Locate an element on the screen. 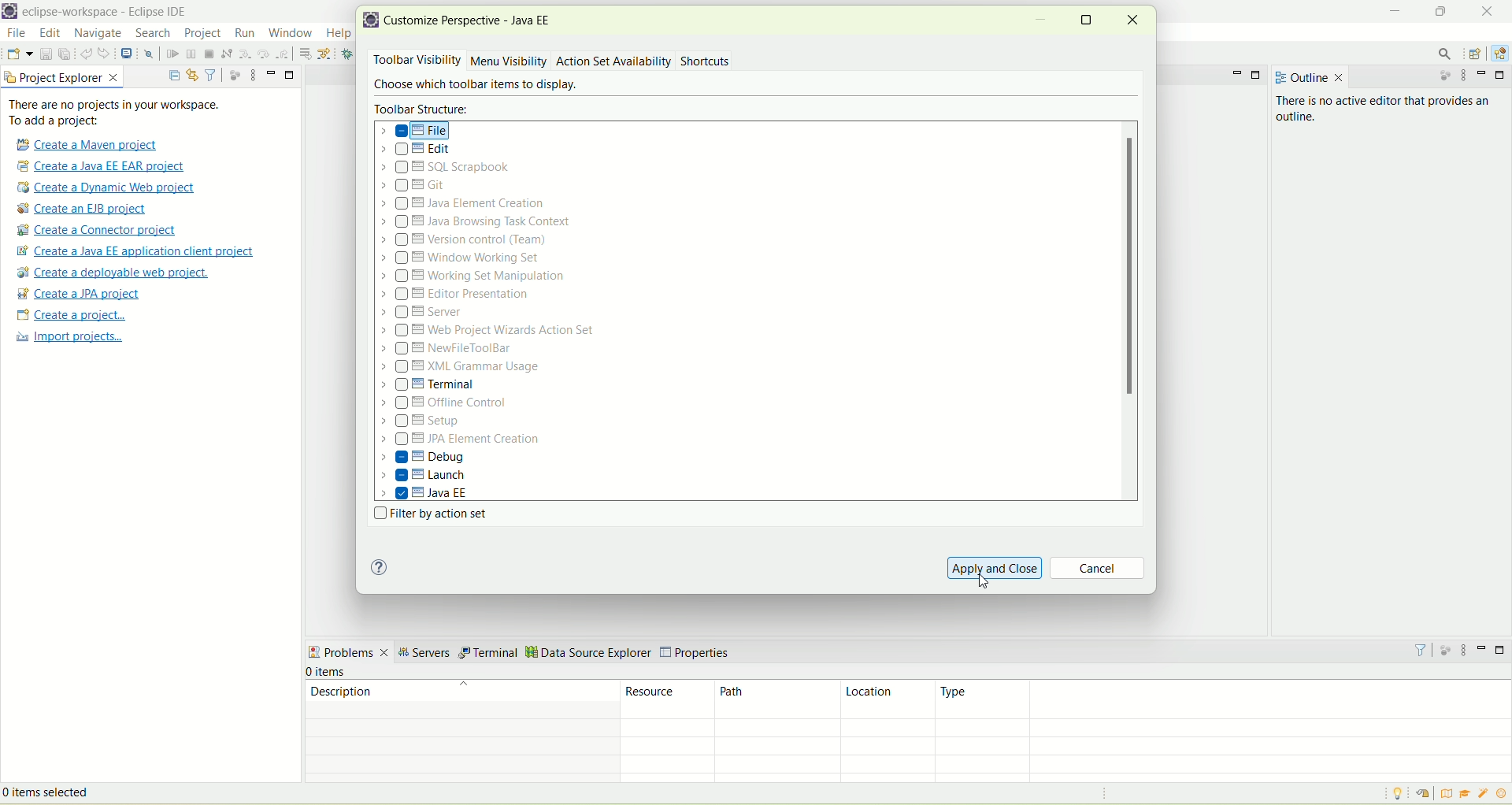 Image resolution: width=1512 pixels, height=805 pixels. minimize is located at coordinates (1484, 76).